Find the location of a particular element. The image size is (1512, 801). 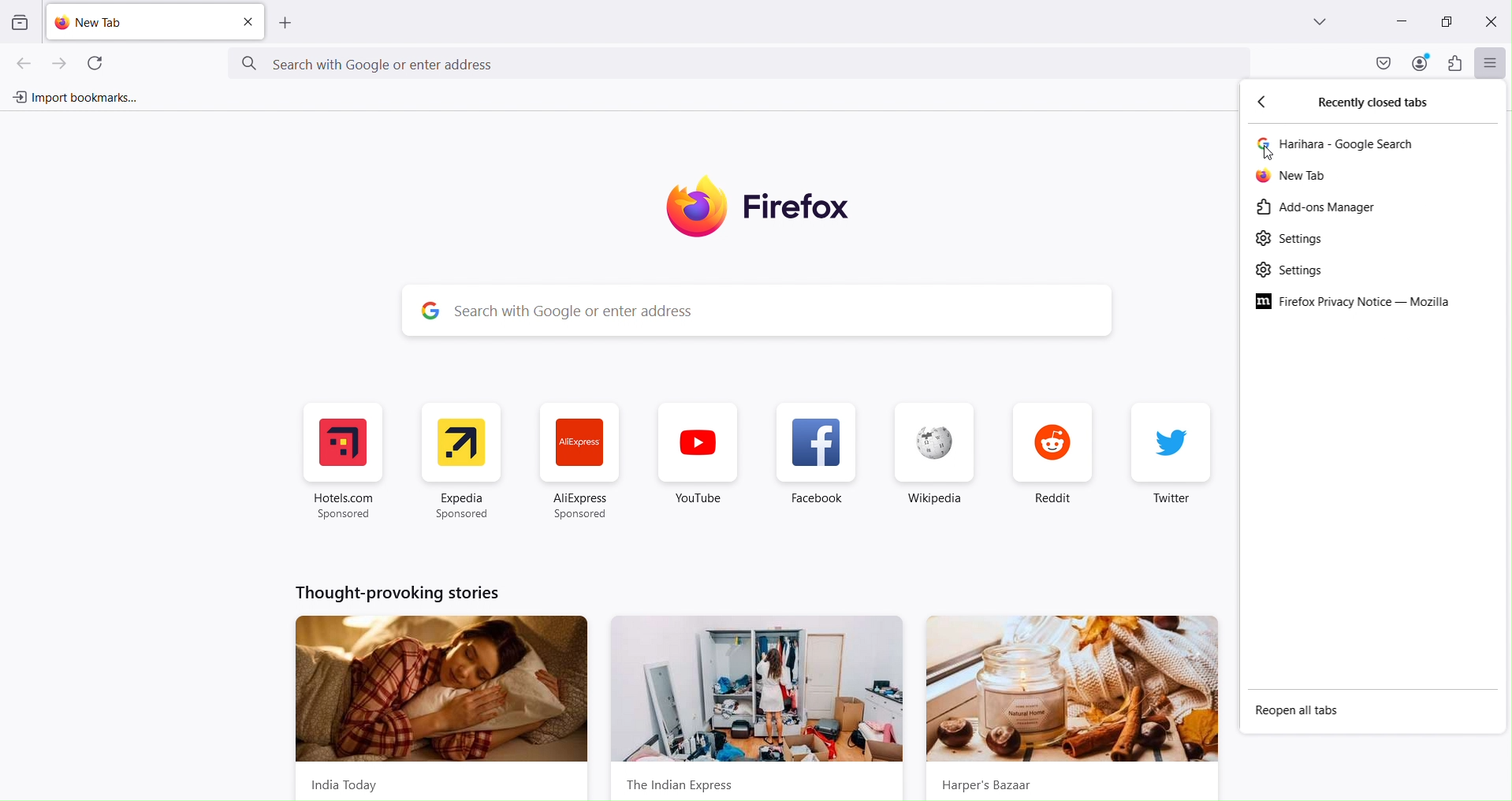

thought-provoking-stories is located at coordinates (400, 593).